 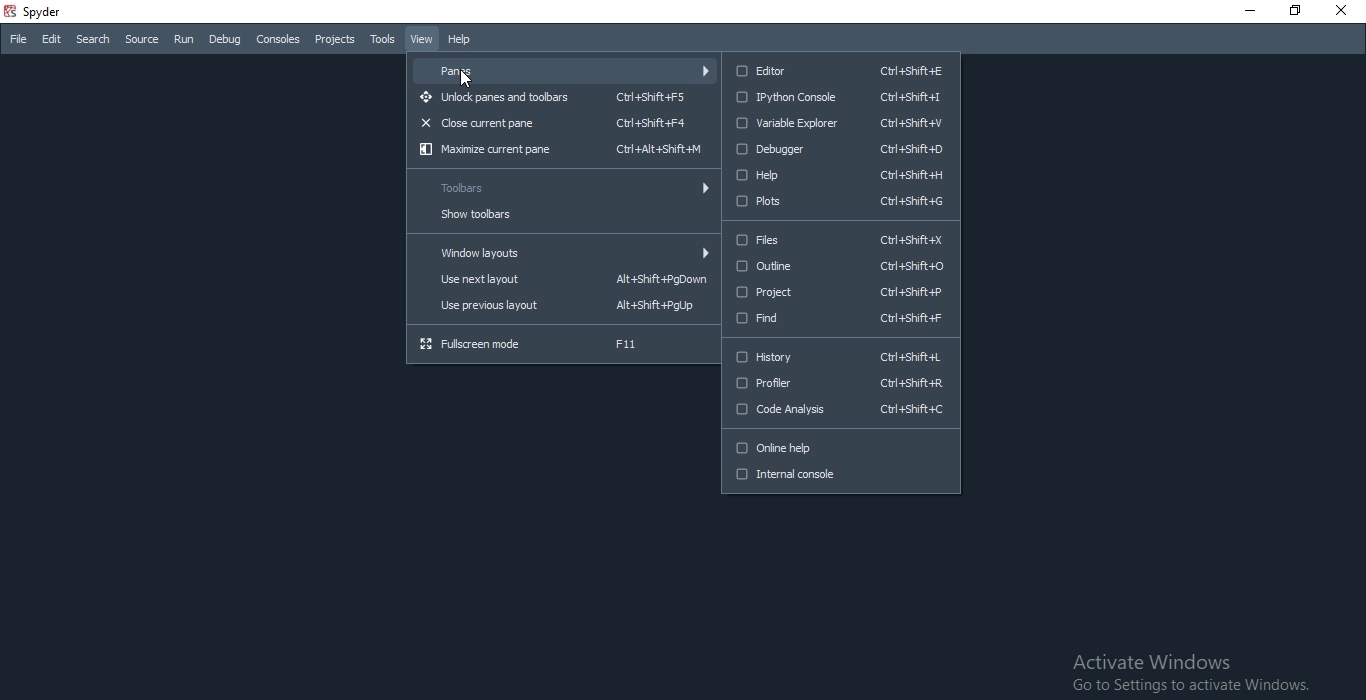 What do you see at coordinates (93, 39) in the screenshot?
I see `Search` at bounding box center [93, 39].